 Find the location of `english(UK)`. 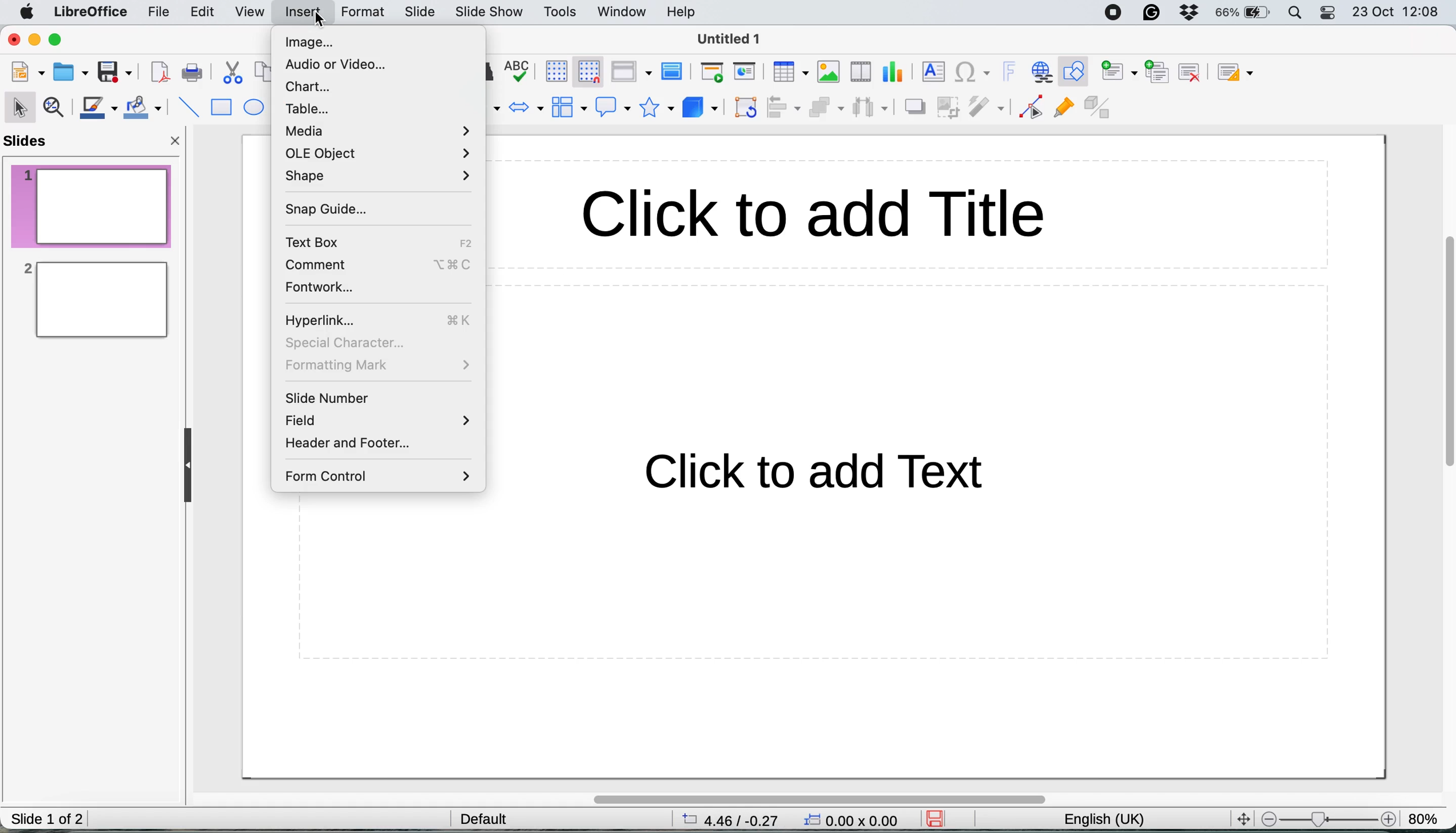

english(UK) is located at coordinates (1116, 820).